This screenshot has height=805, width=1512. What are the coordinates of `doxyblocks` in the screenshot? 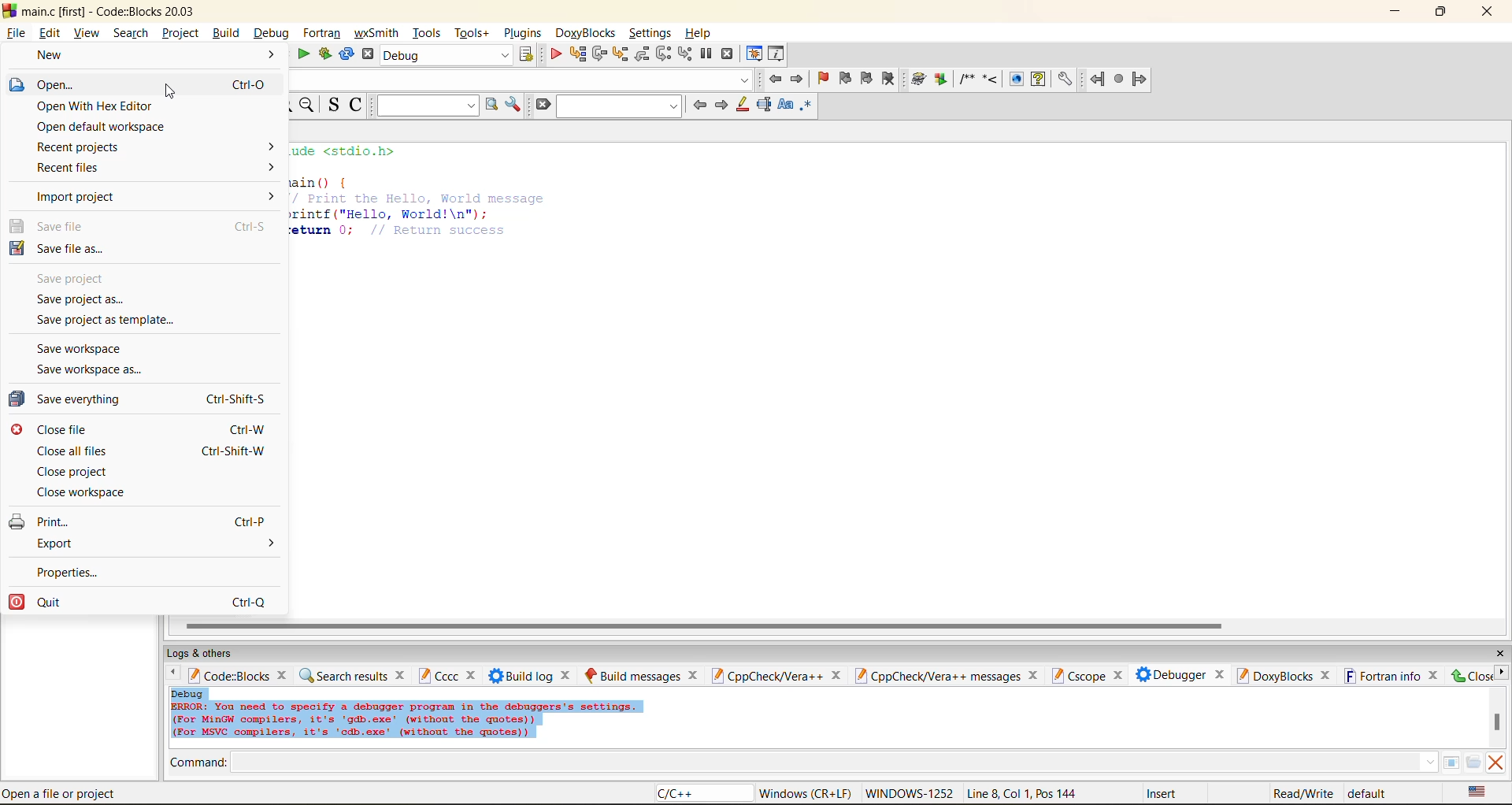 It's located at (1273, 675).